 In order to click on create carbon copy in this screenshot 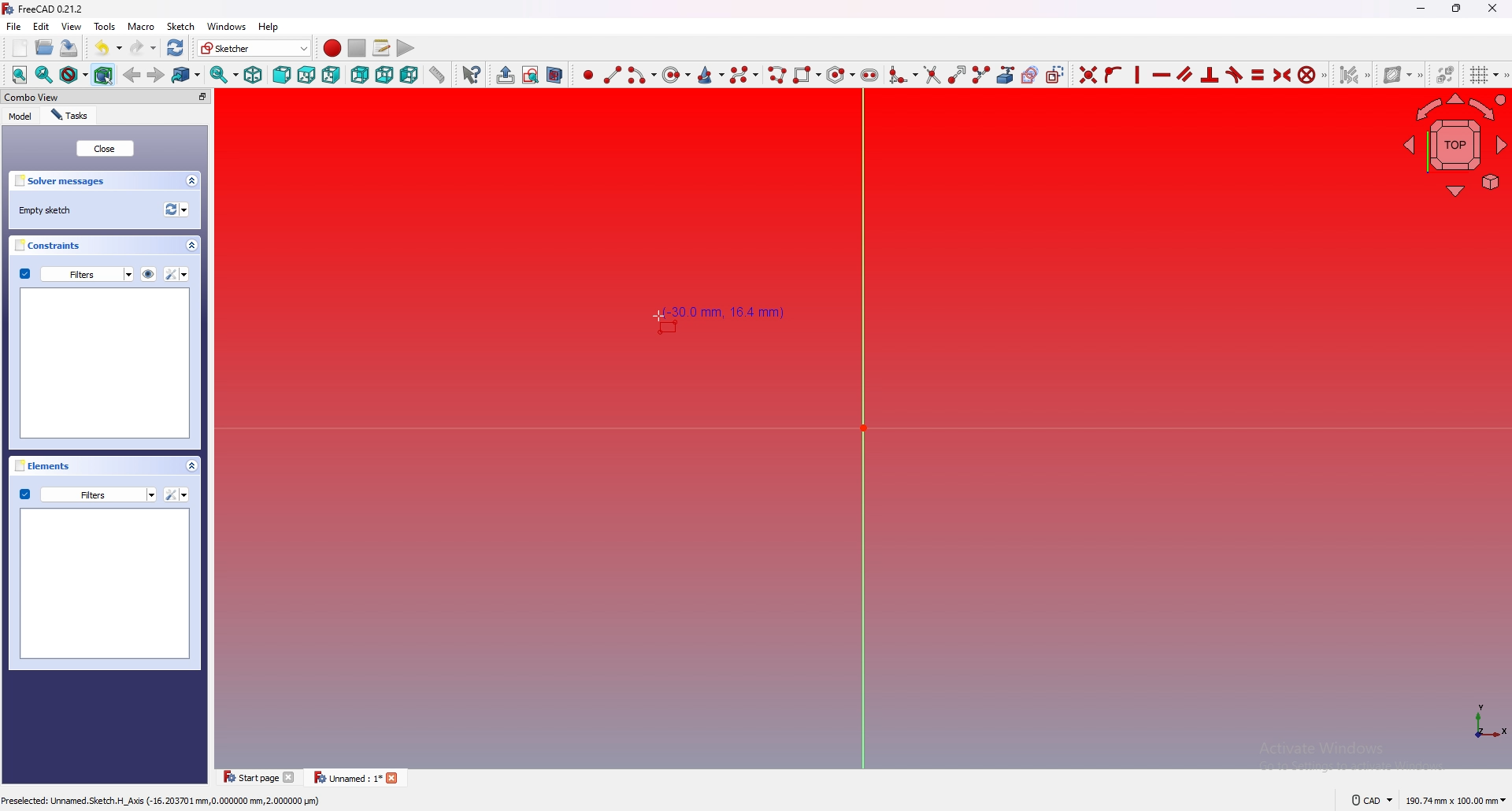, I will do `click(1031, 75)`.